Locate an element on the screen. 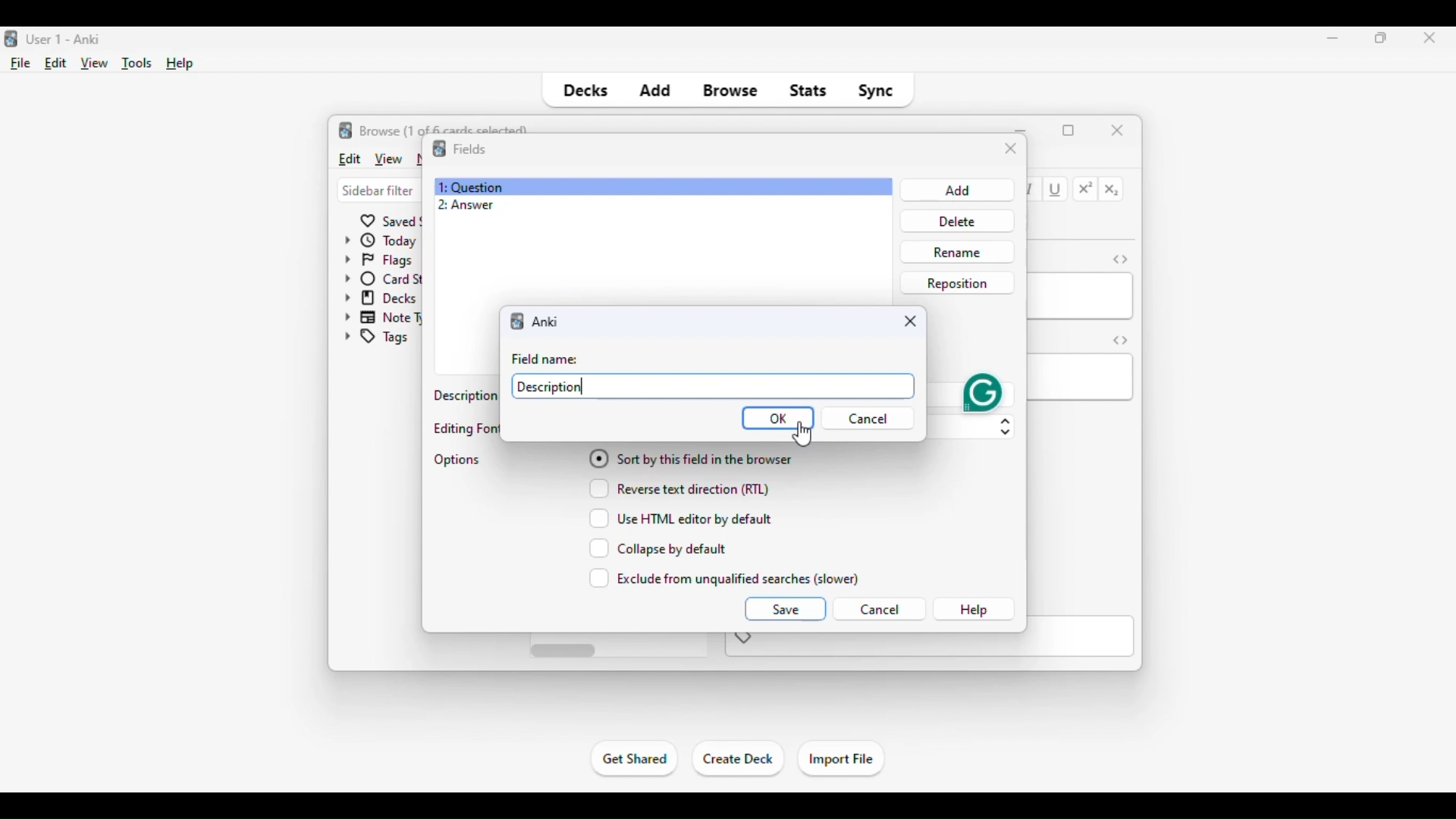  minimize is located at coordinates (1333, 37).